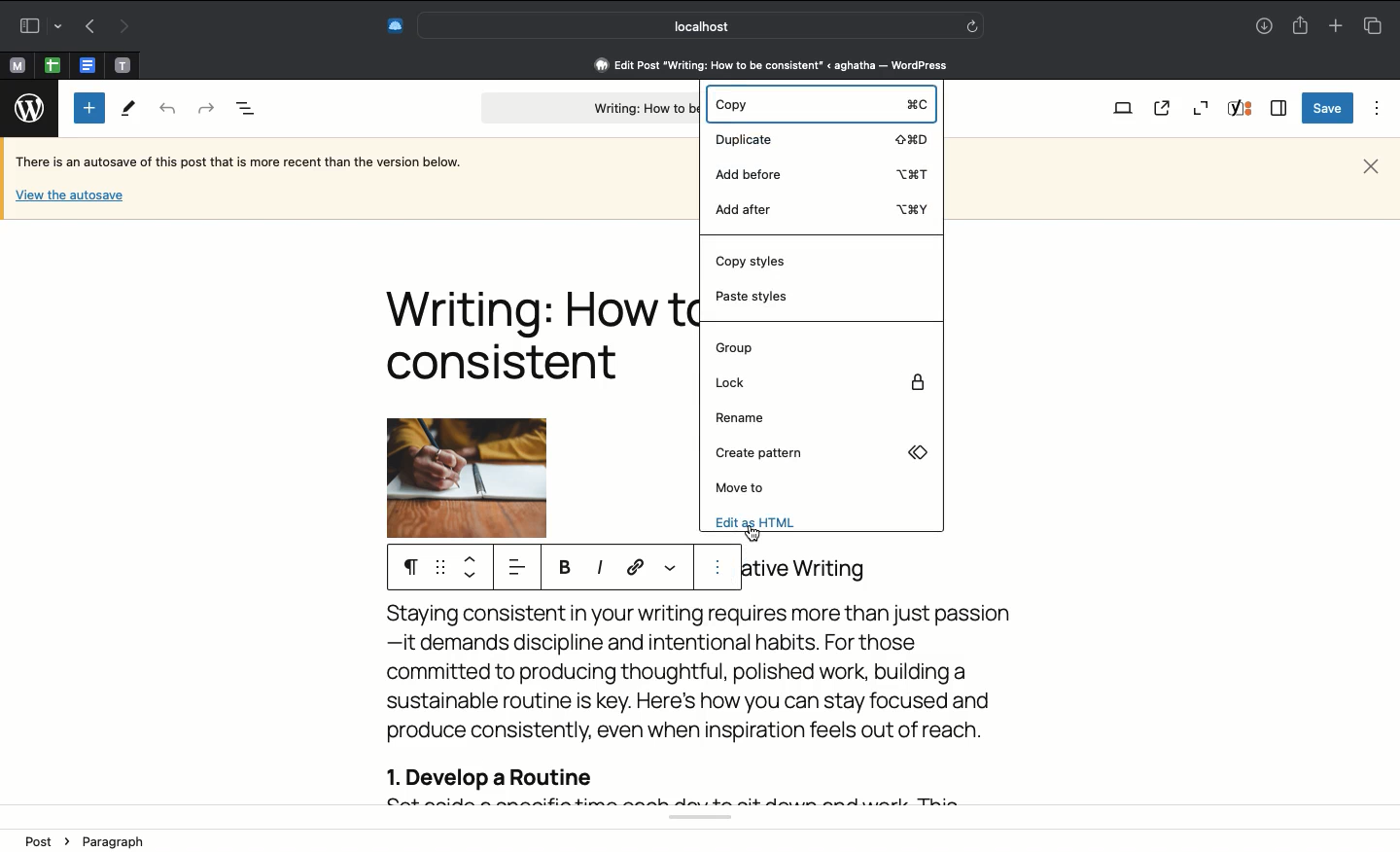 This screenshot has width=1400, height=852. I want to click on Lock, so click(821, 382).